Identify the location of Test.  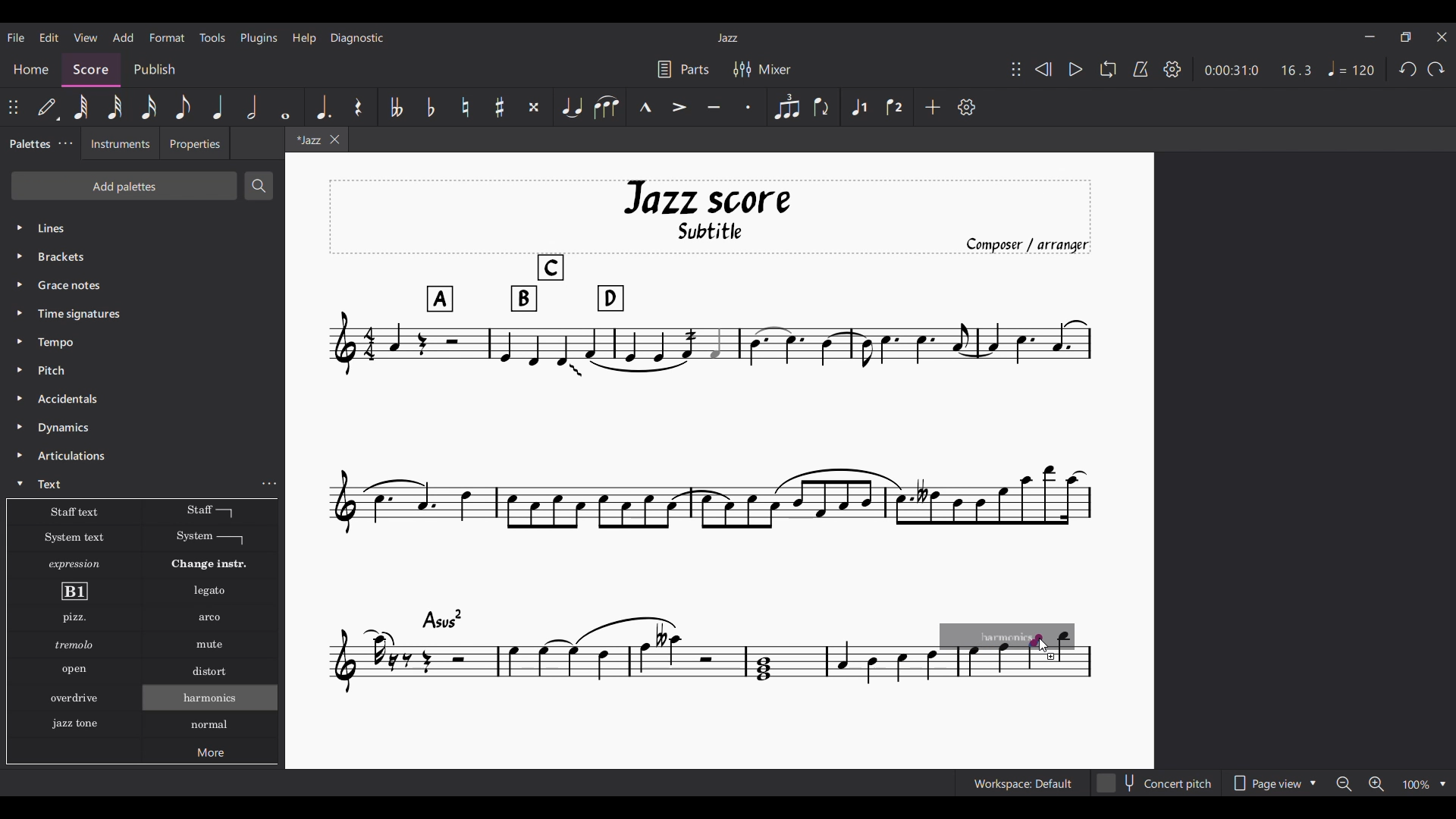
(54, 484).